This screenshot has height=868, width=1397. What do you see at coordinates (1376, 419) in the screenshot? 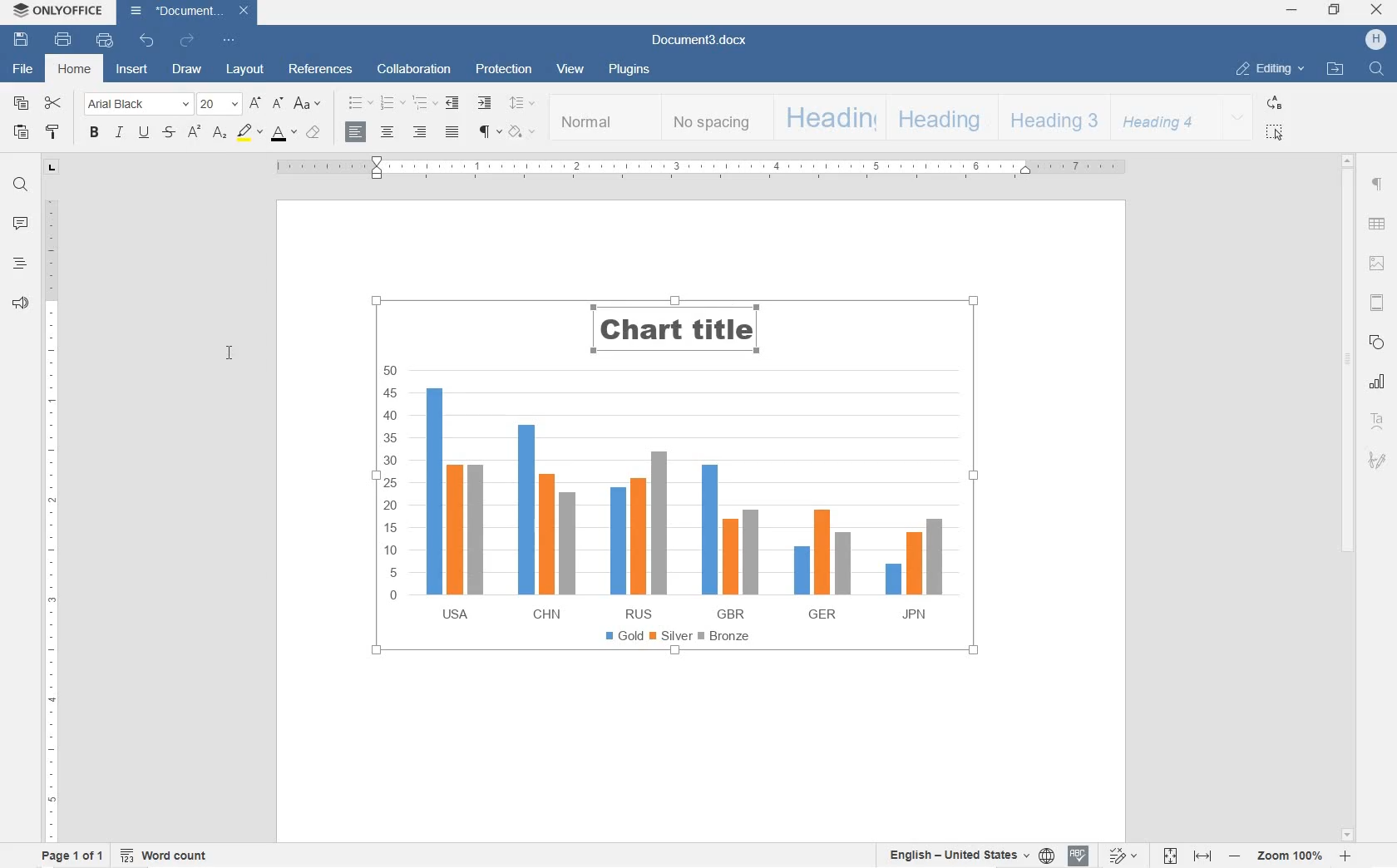
I see `TEXT ART` at bounding box center [1376, 419].